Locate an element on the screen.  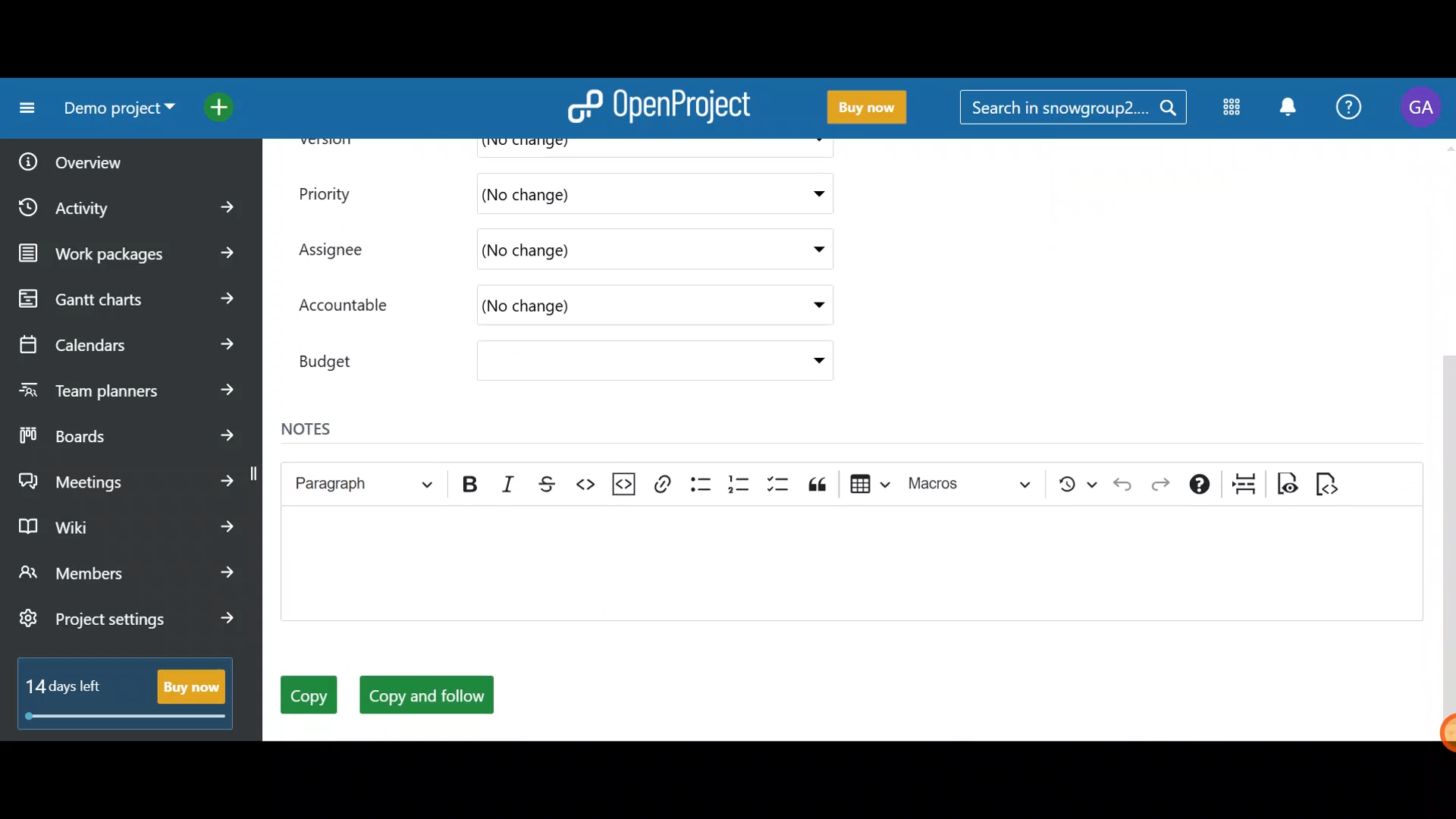
(No change) is located at coordinates (615, 306).